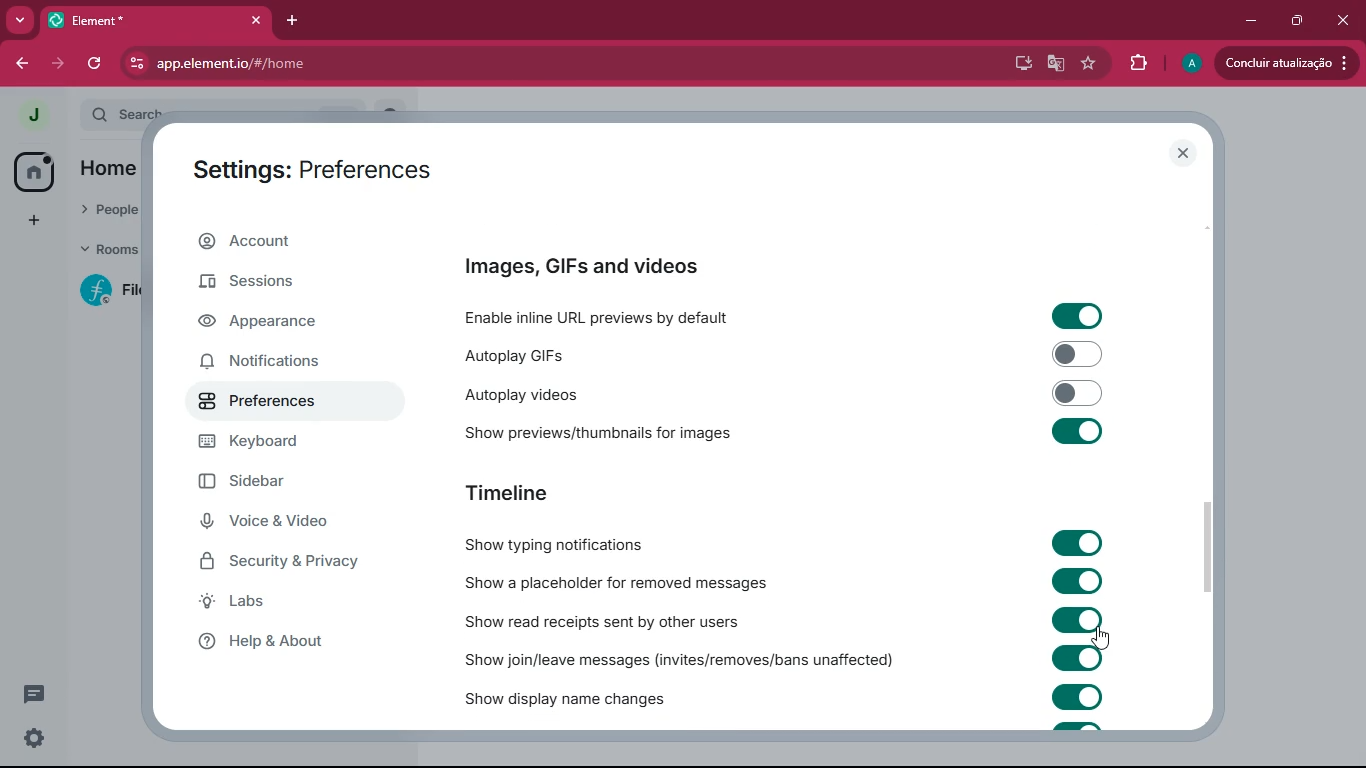  Describe the element at coordinates (1078, 658) in the screenshot. I see `toggle on/off` at that location.